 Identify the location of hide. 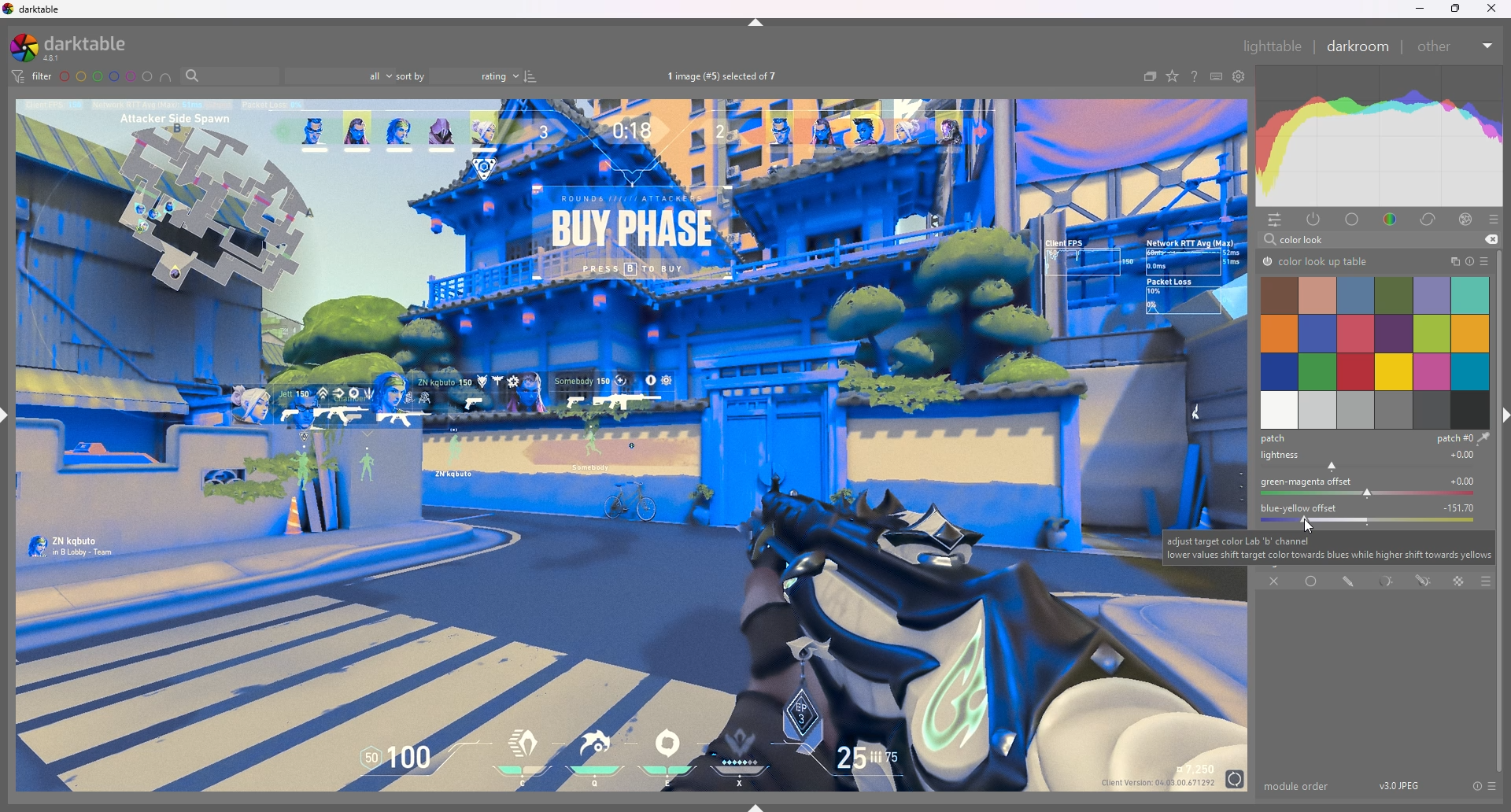
(756, 23).